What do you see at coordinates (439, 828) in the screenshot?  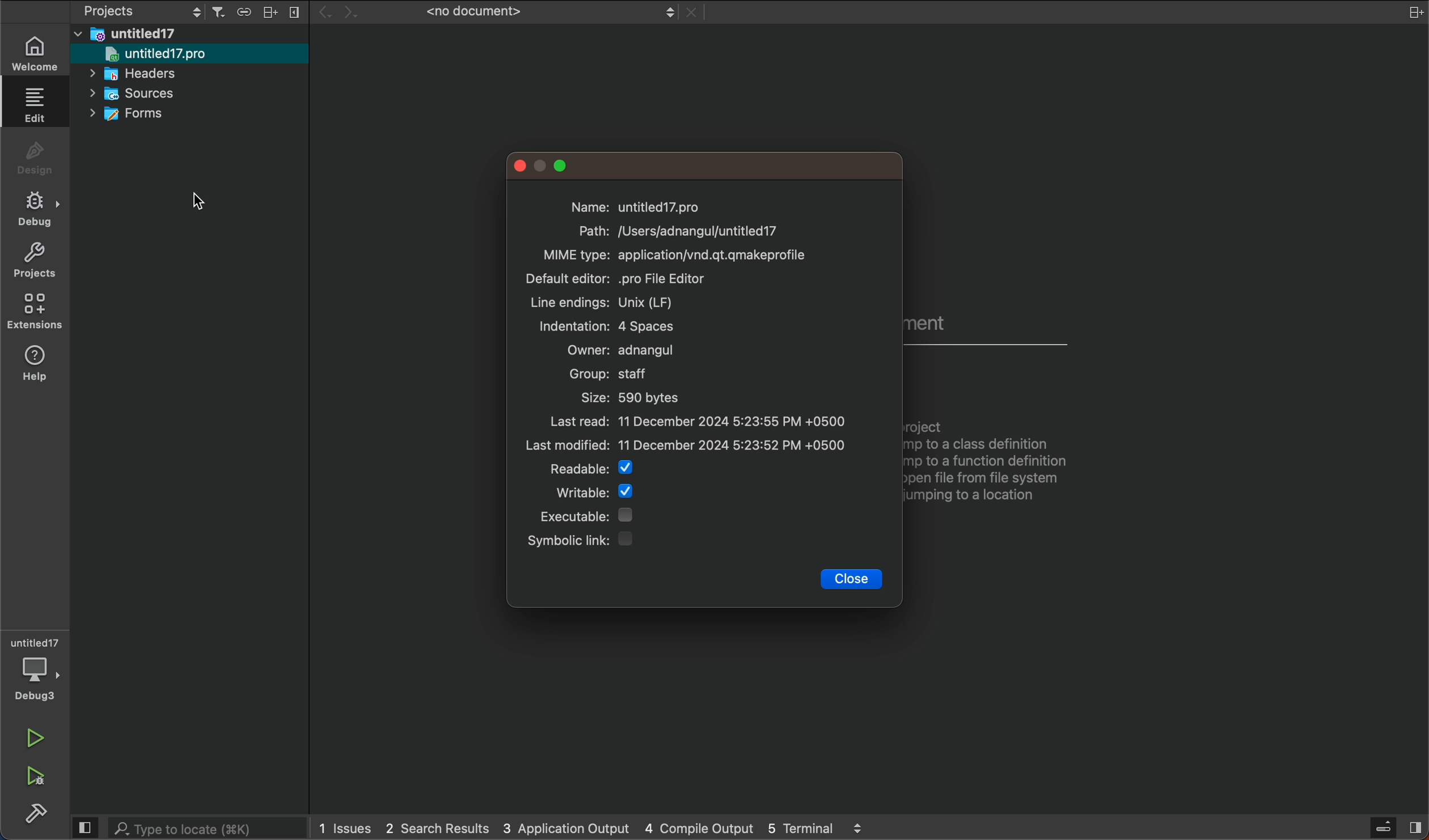 I see `2 search result` at bounding box center [439, 828].